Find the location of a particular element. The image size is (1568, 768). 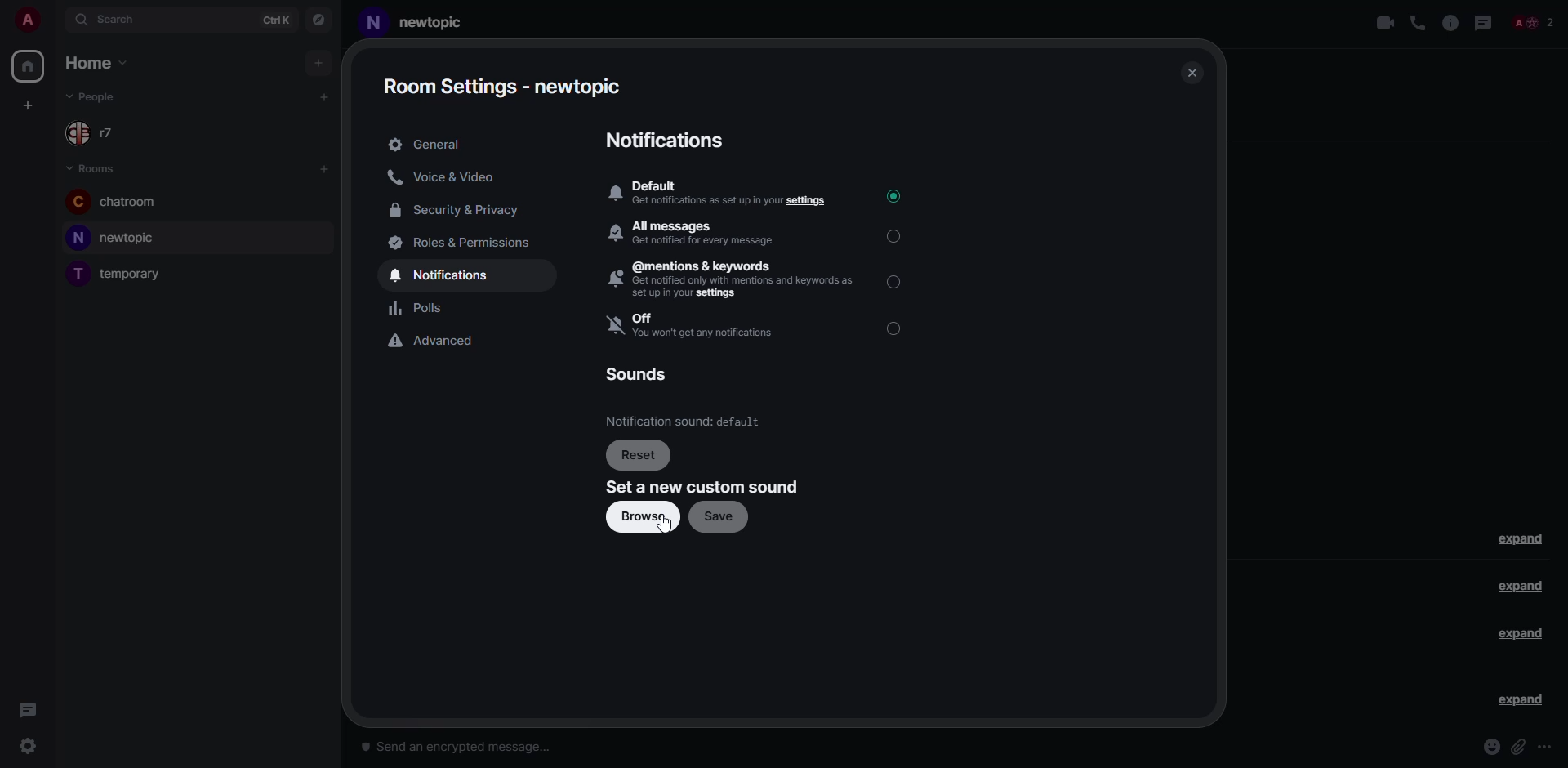

settings is located at coordinates (501, 86).